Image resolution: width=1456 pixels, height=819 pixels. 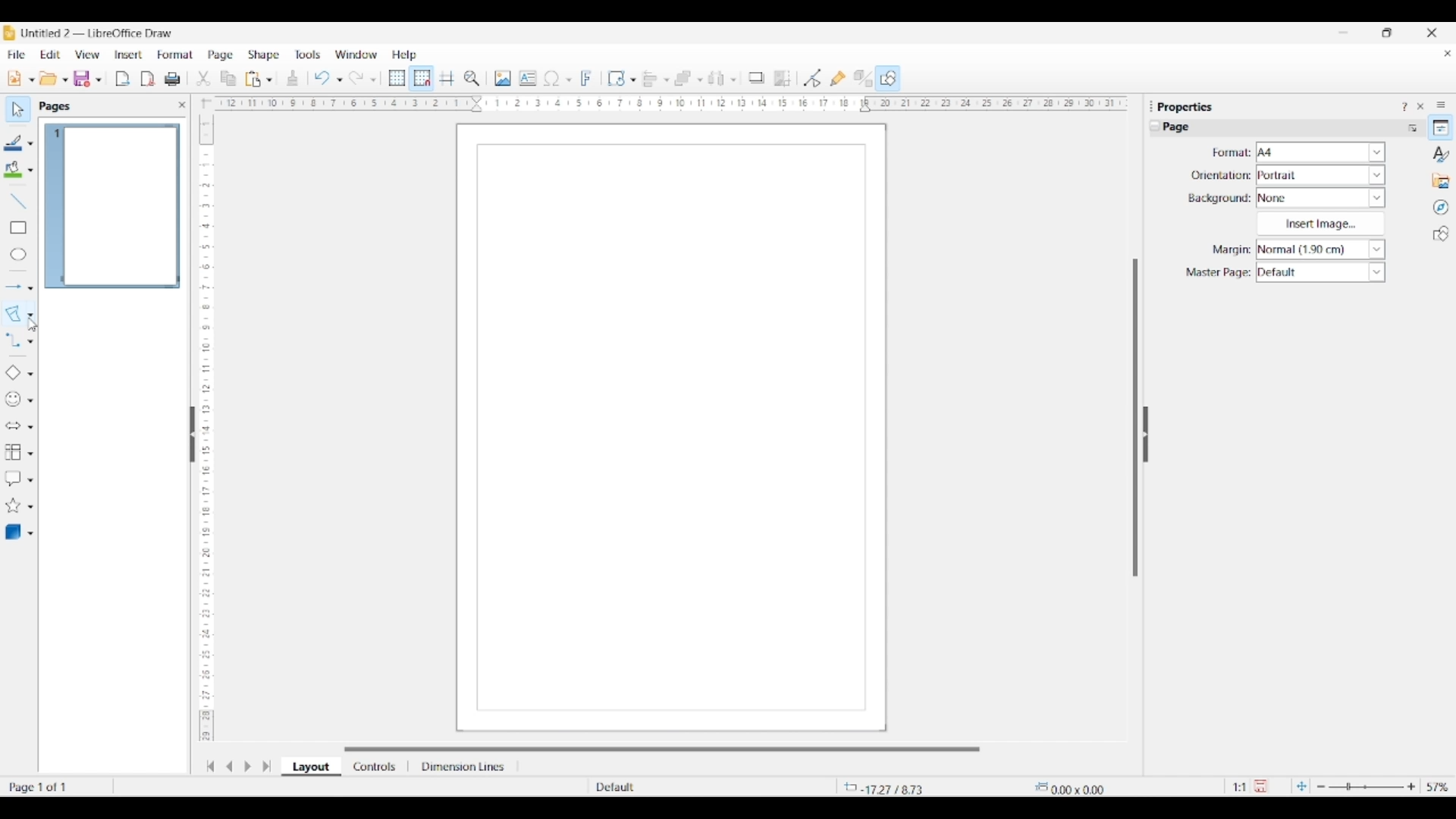 I want to click on Undo last action done, so click(x=322, y=77).